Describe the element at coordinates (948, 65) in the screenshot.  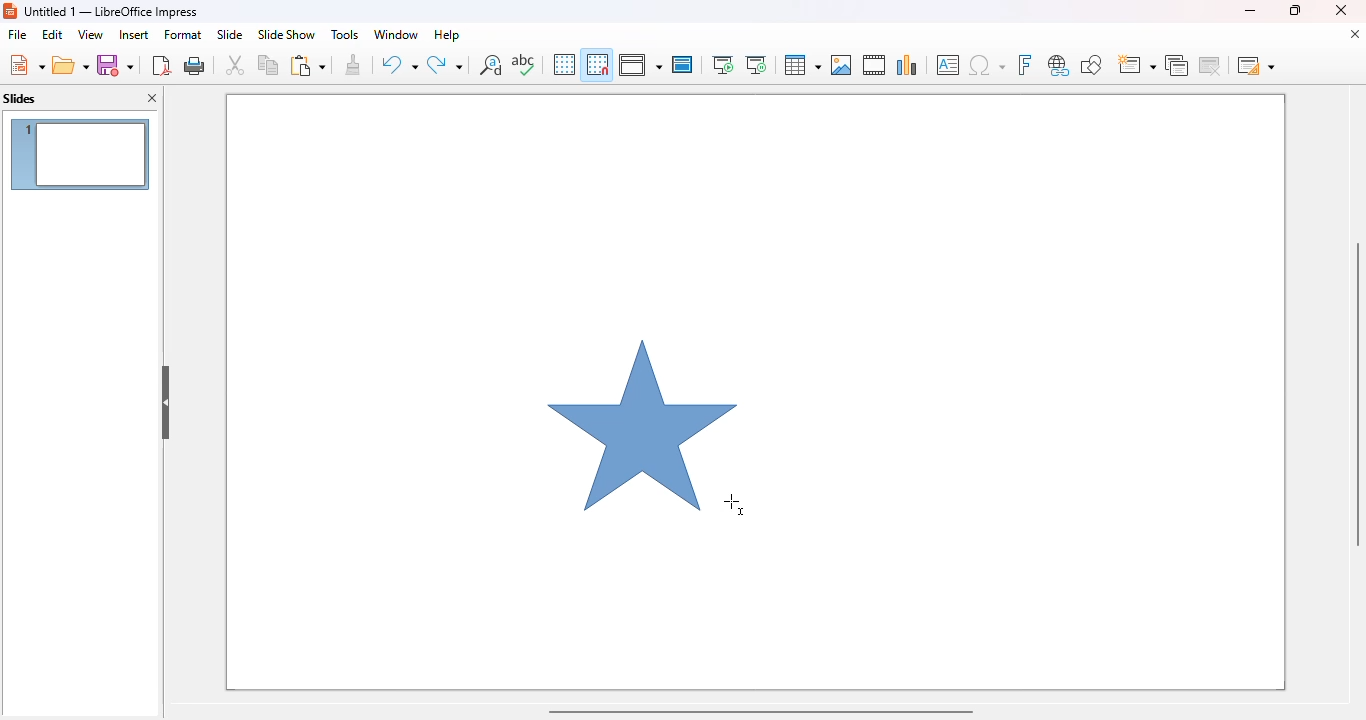
I see `insert text box` at that location.